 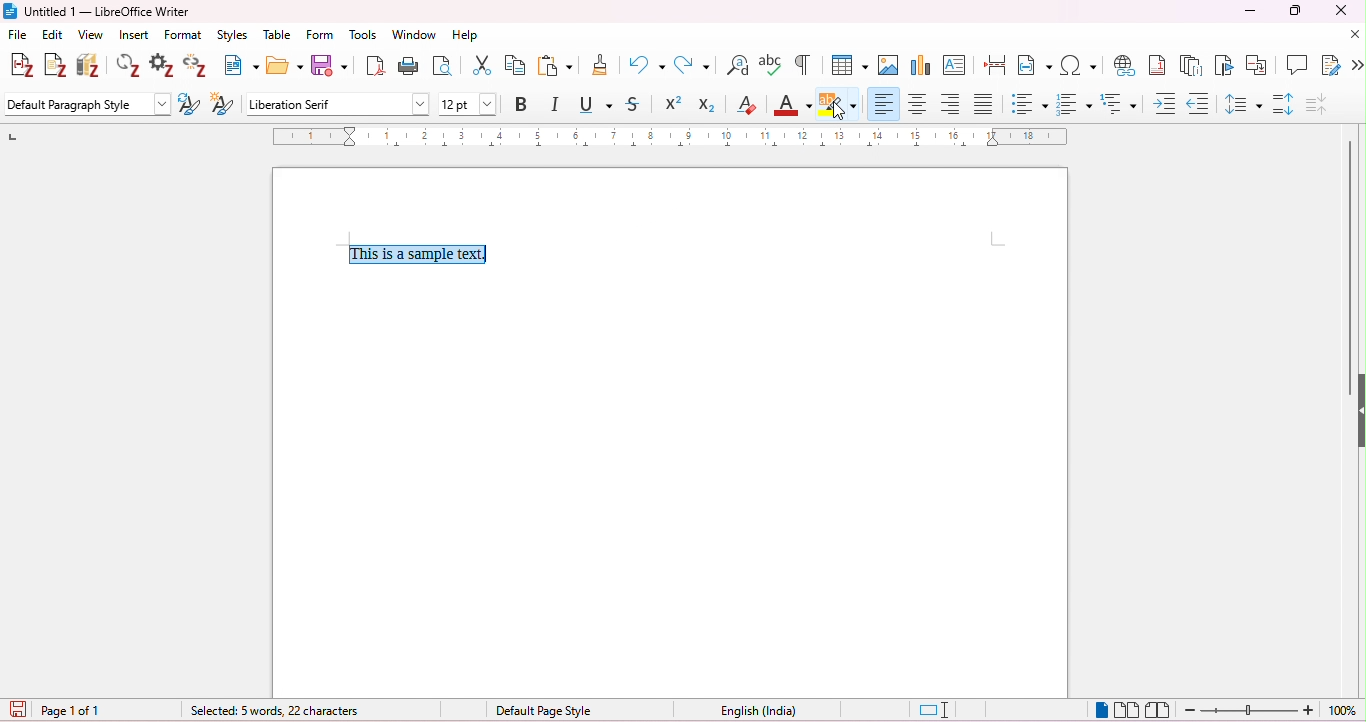 What do you see at coordinates (674, 104) in the screenshot?
I see `superscript` at bounding box center [674, 104].